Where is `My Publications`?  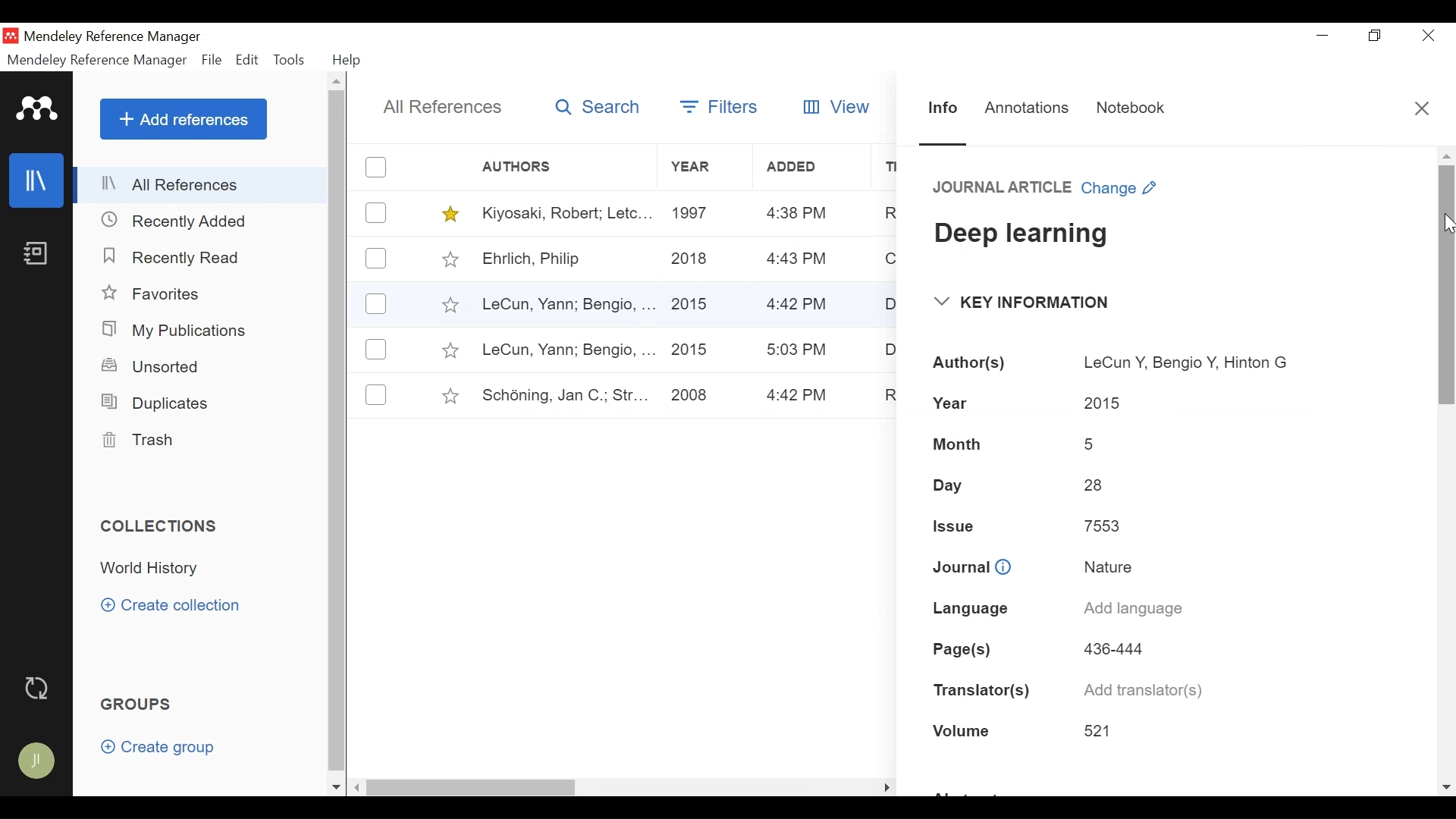 My Publications is located at coordinates (179, 331).